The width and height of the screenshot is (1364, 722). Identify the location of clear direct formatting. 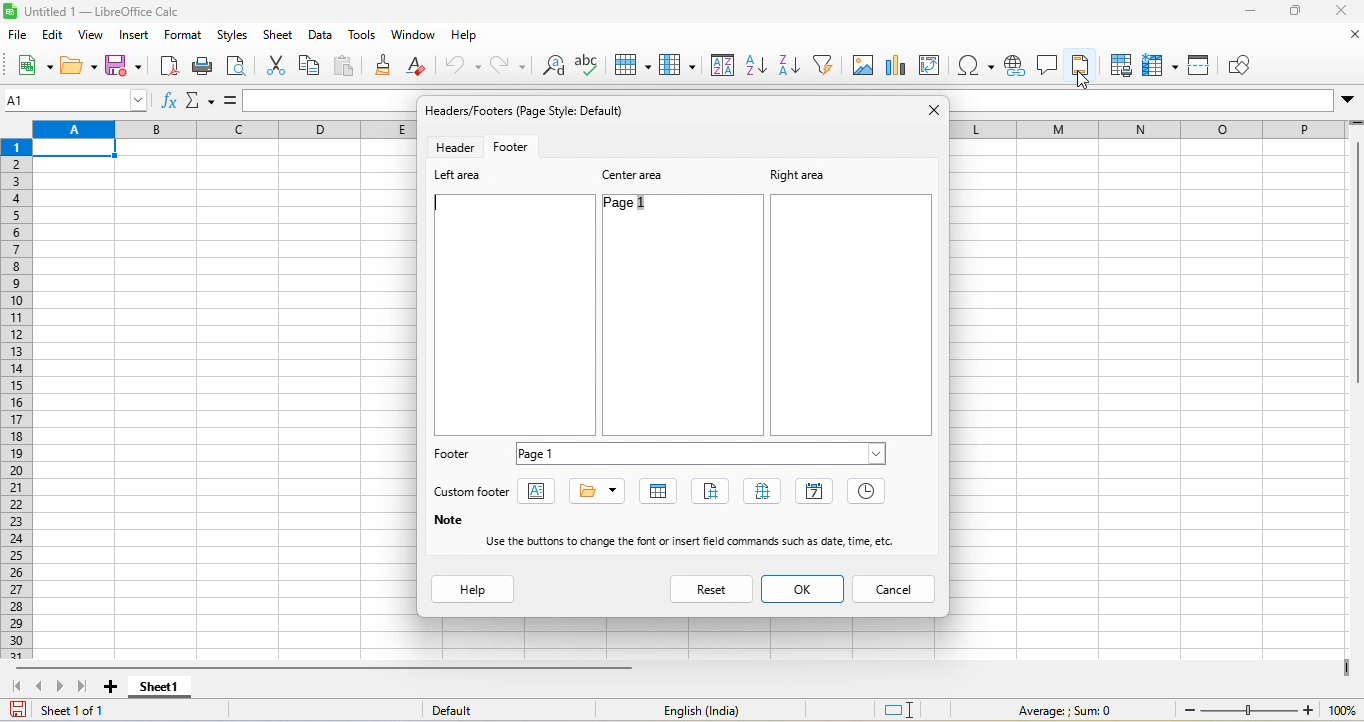
(420, 65).